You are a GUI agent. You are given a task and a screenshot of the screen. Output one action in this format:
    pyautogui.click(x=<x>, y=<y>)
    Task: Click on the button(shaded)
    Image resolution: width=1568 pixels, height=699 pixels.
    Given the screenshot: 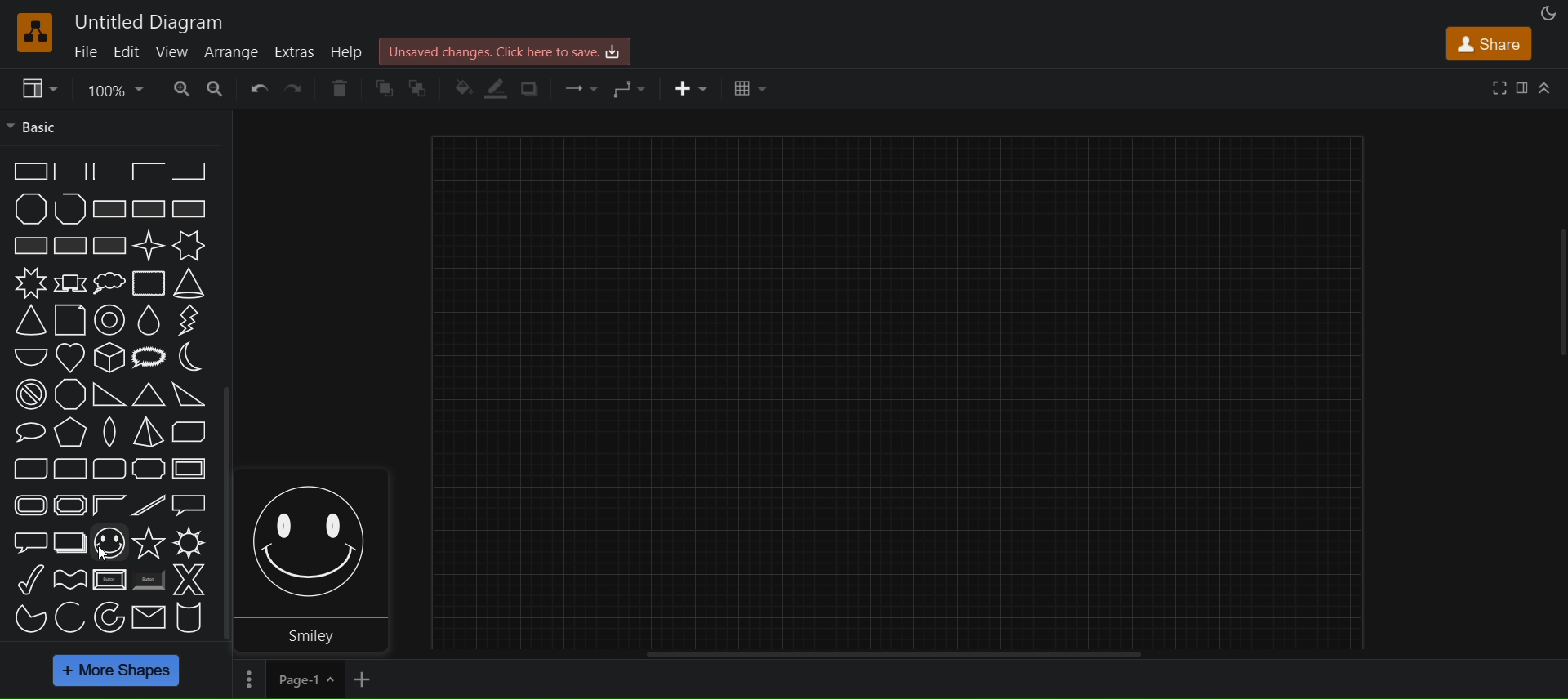 What is the action you would take?
    pyautogui.click(x=148, y=581)
    